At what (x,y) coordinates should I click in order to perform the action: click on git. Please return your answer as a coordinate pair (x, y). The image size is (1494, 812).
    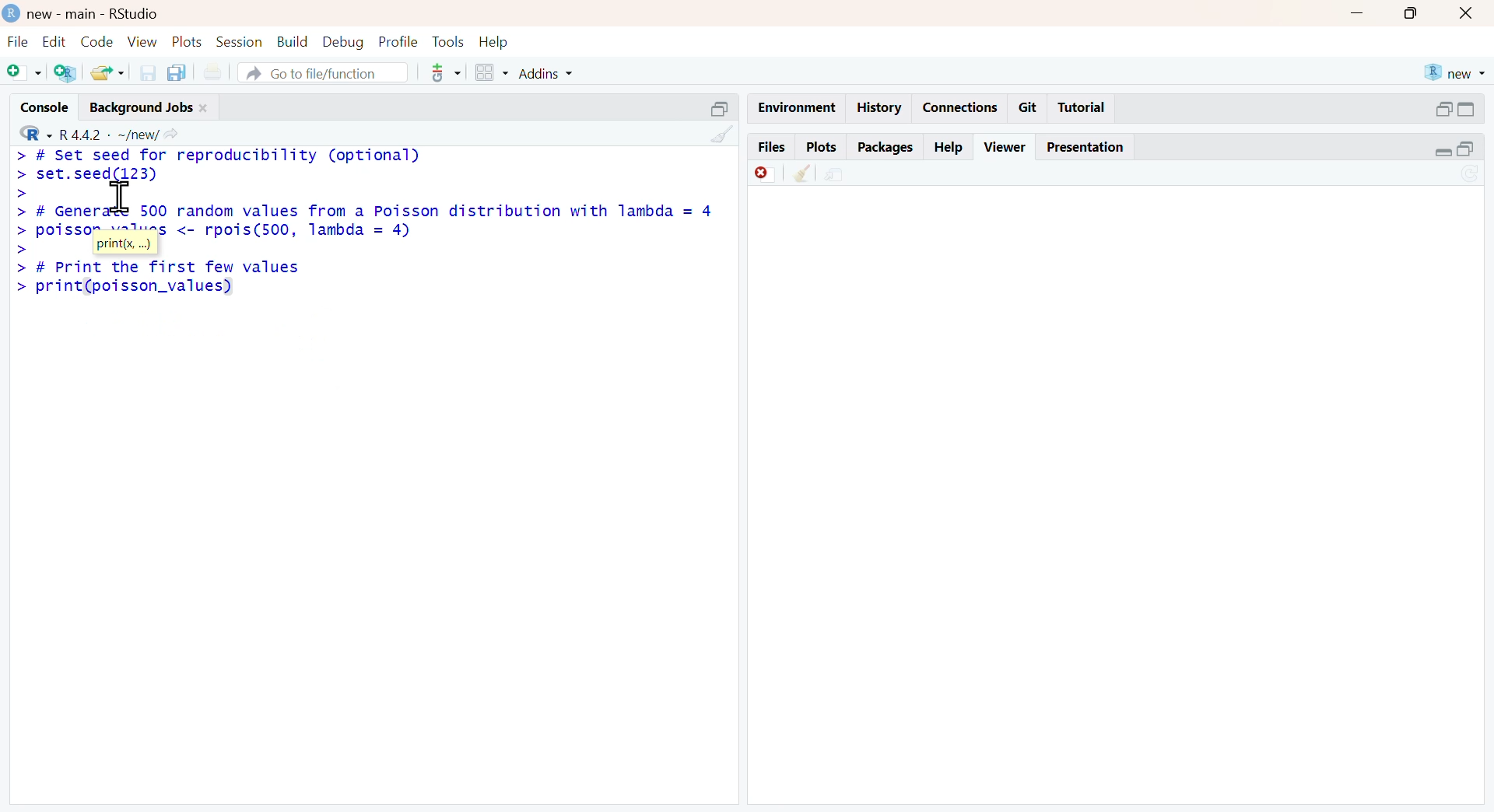
    Looking at the image, I should click on (1029, 107).